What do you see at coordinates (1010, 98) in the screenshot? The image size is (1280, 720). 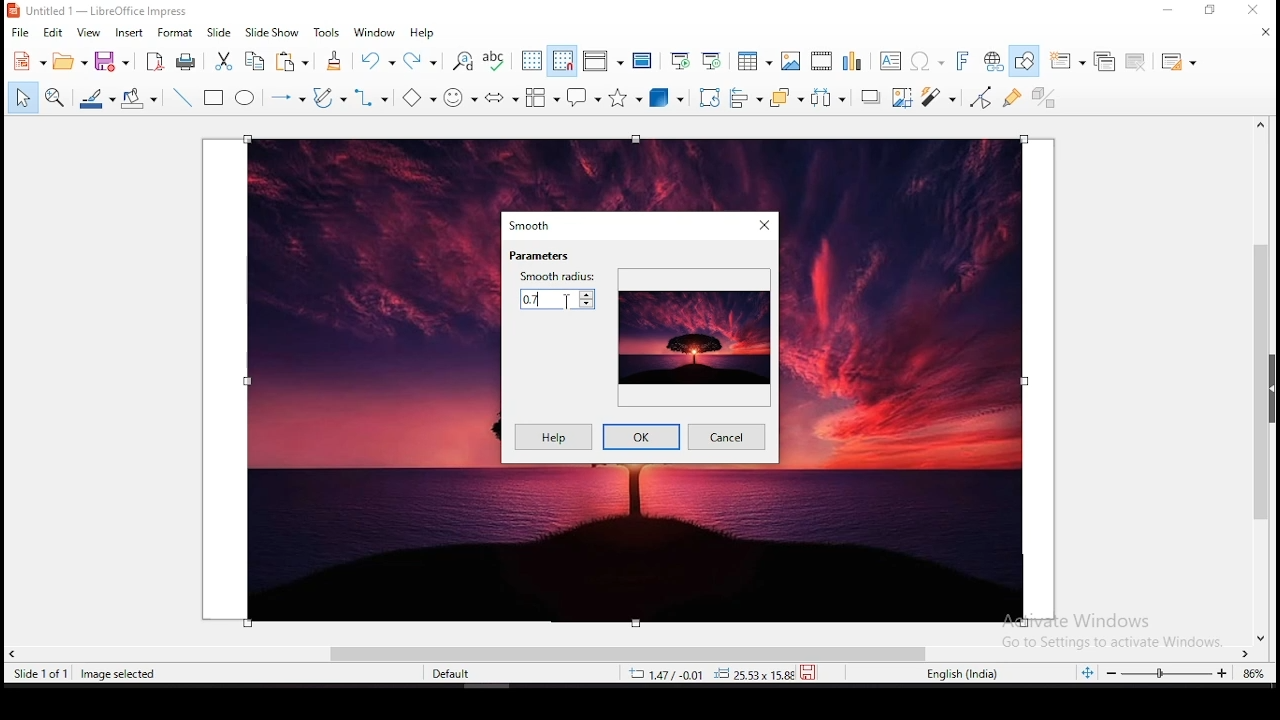 I see `show gluepoints functions` at bounding box center [1010, 98].